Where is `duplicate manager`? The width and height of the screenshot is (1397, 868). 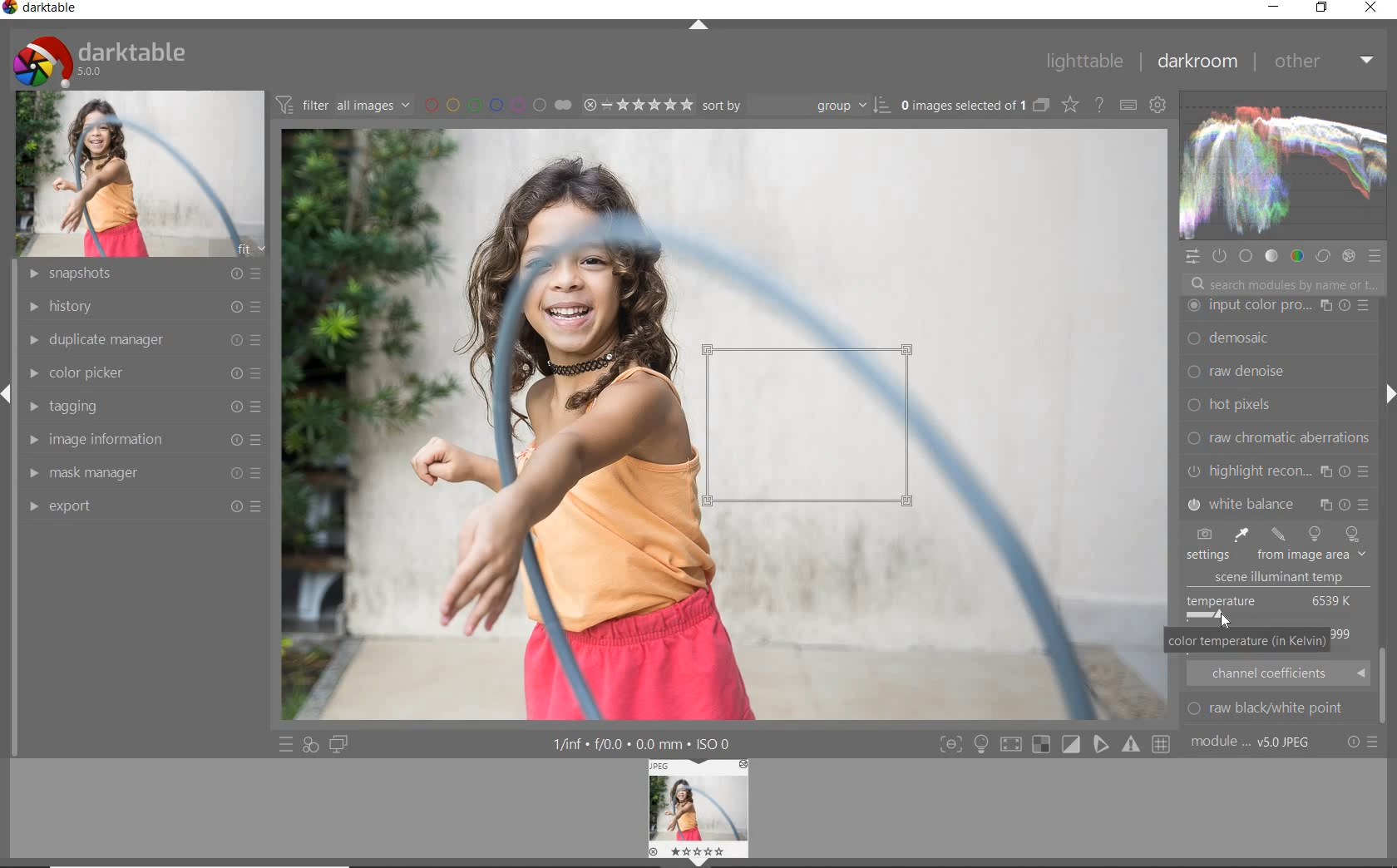
duplicate manager is located at coordinates (141, 338).